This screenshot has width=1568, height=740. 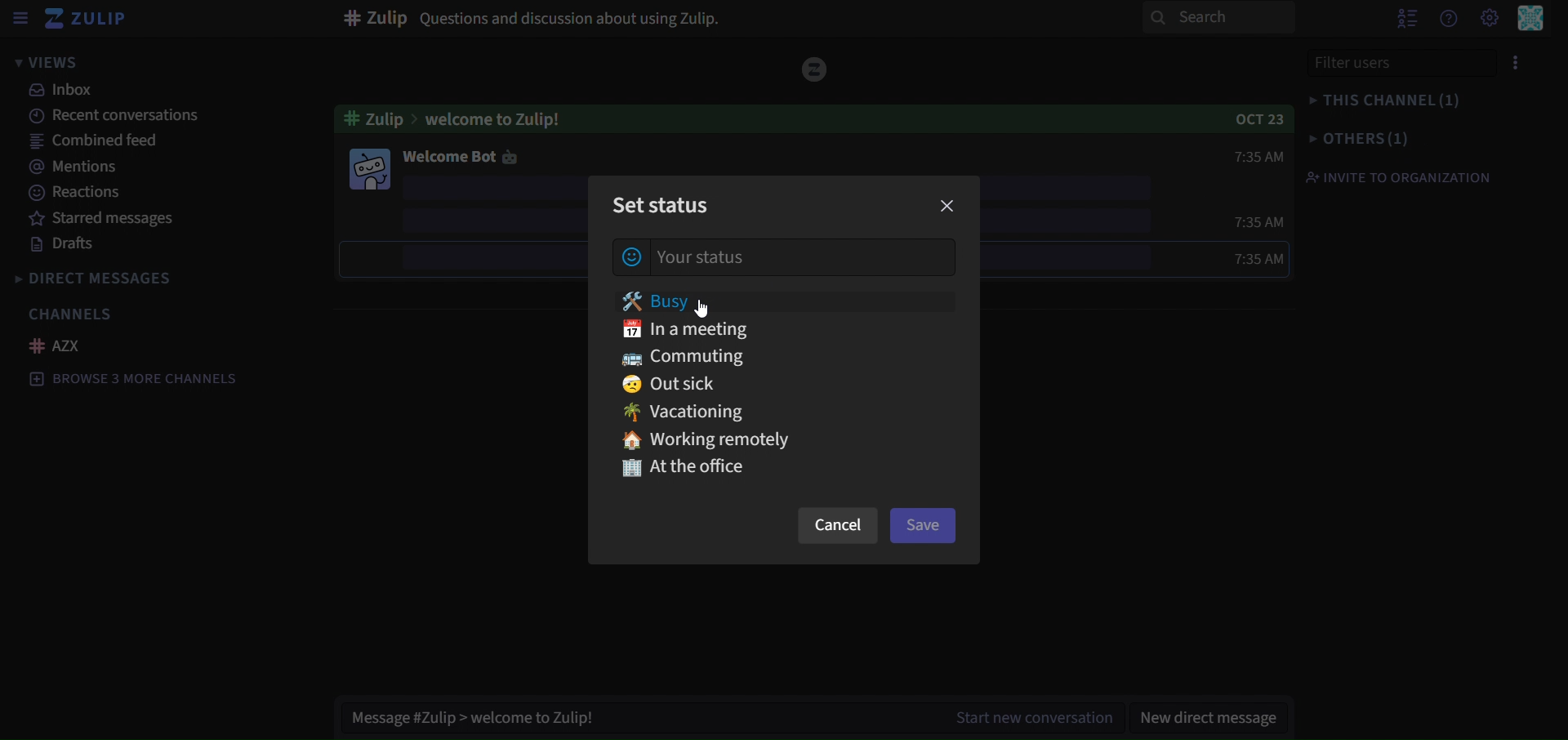 What do you see at coordinates (921, 527) in the screenshot?
I see `save` at bounding box center [921, 527].